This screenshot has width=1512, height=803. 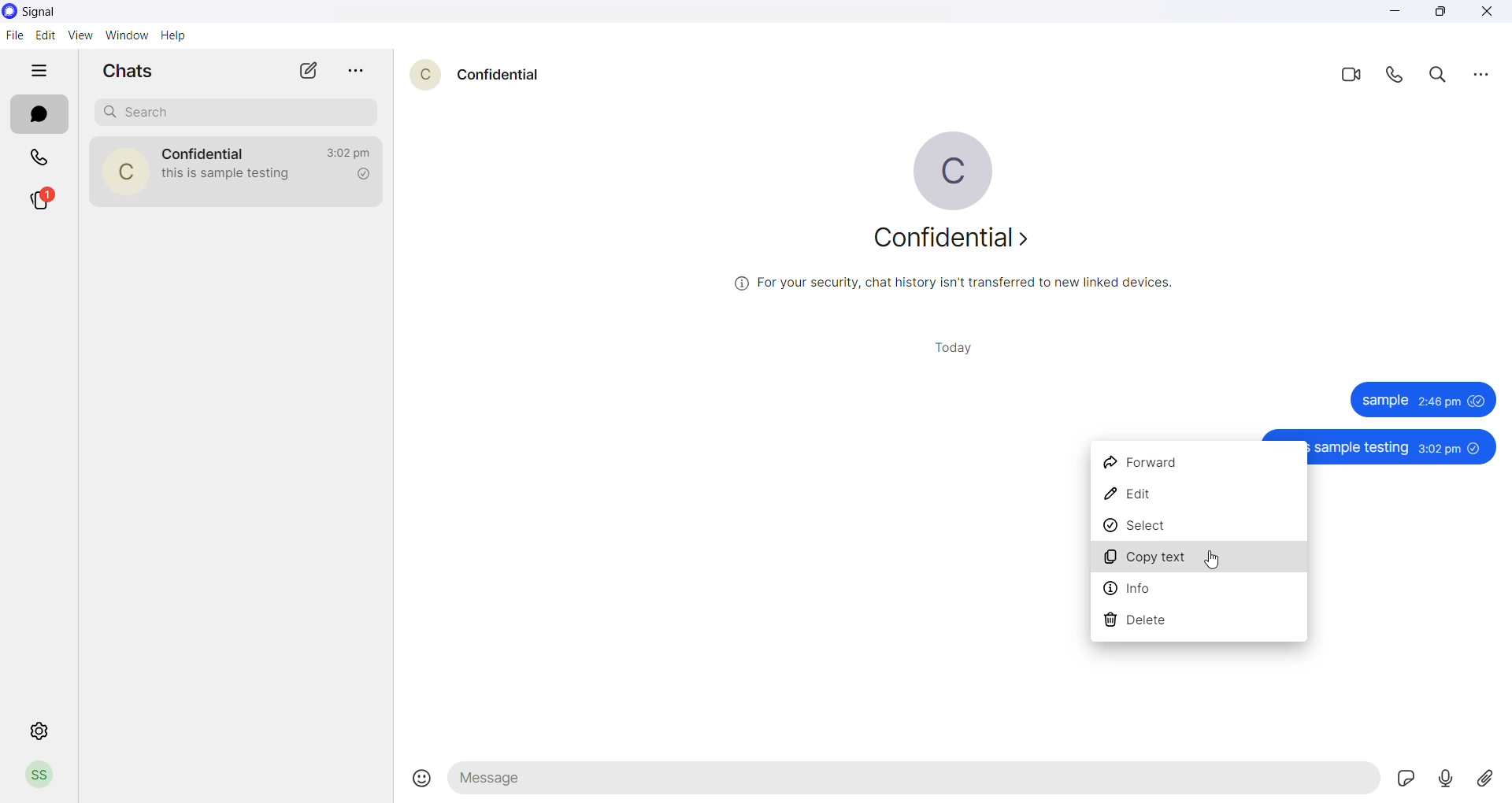 I want to click on message text area, so click(x=913, y=782).